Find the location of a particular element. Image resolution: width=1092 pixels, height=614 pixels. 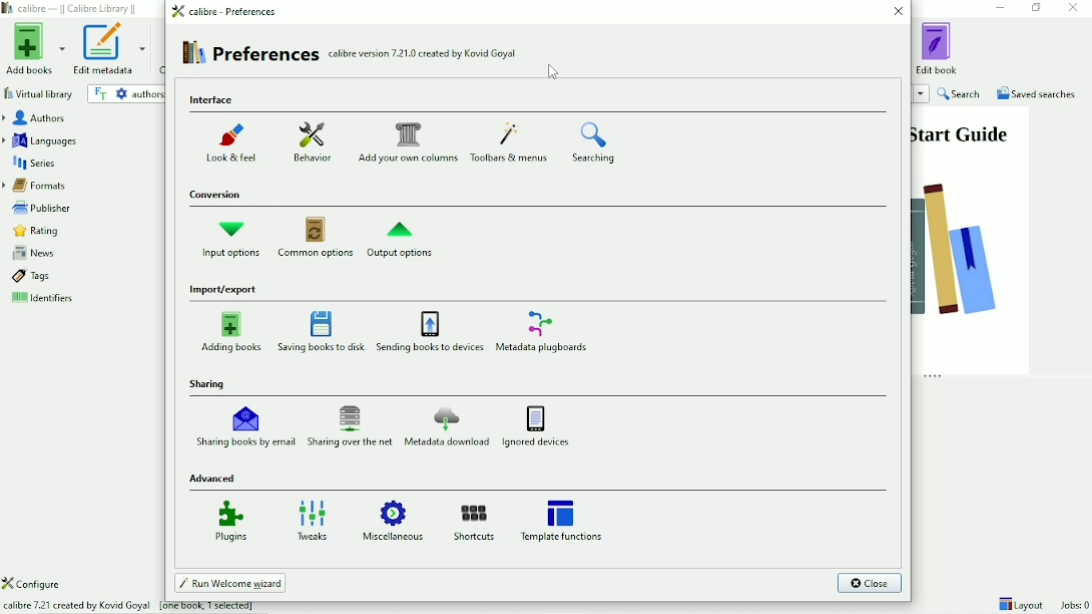

Interface is located at coordinates (214, 100).